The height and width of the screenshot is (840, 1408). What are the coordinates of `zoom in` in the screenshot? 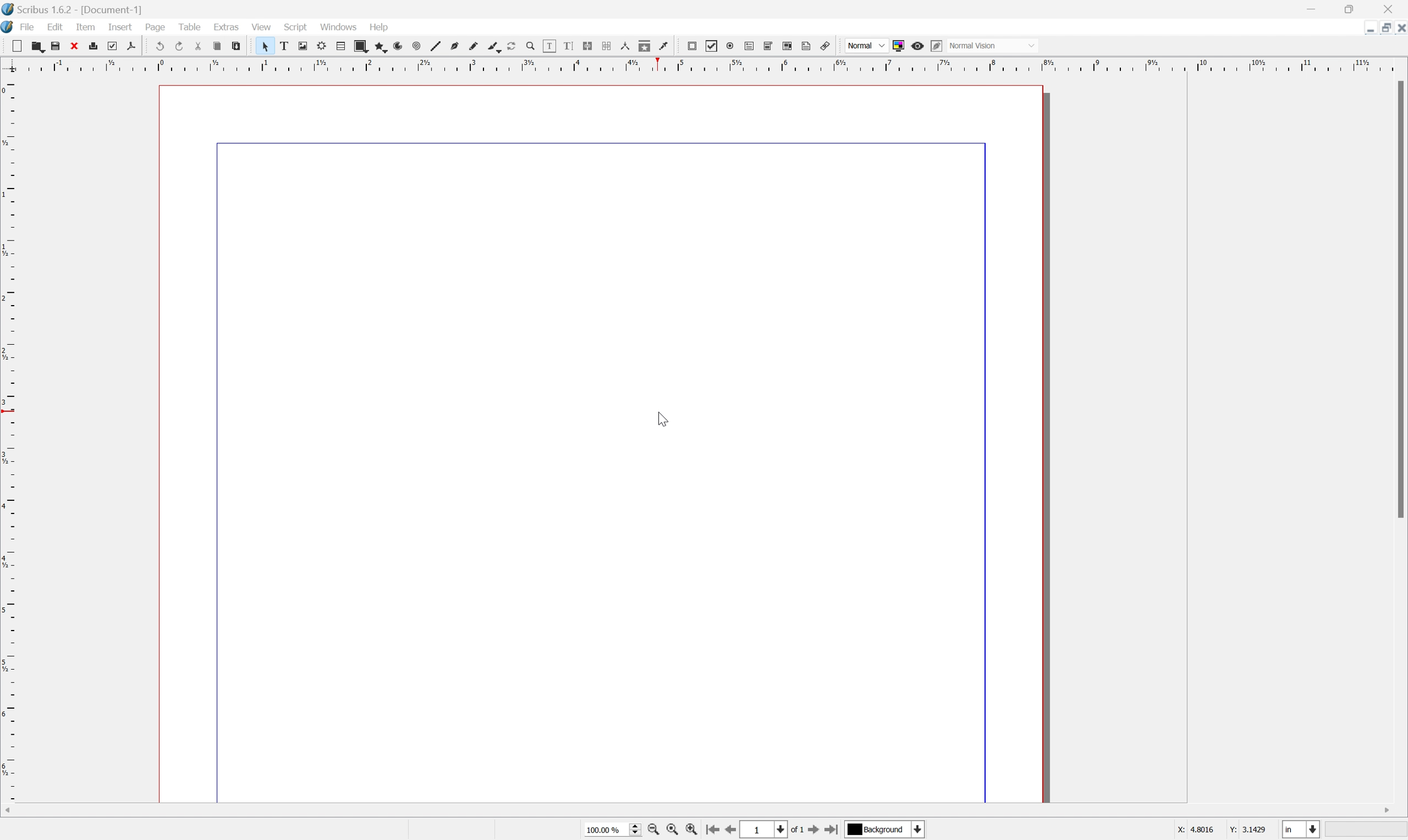 It's located at (692, 829).